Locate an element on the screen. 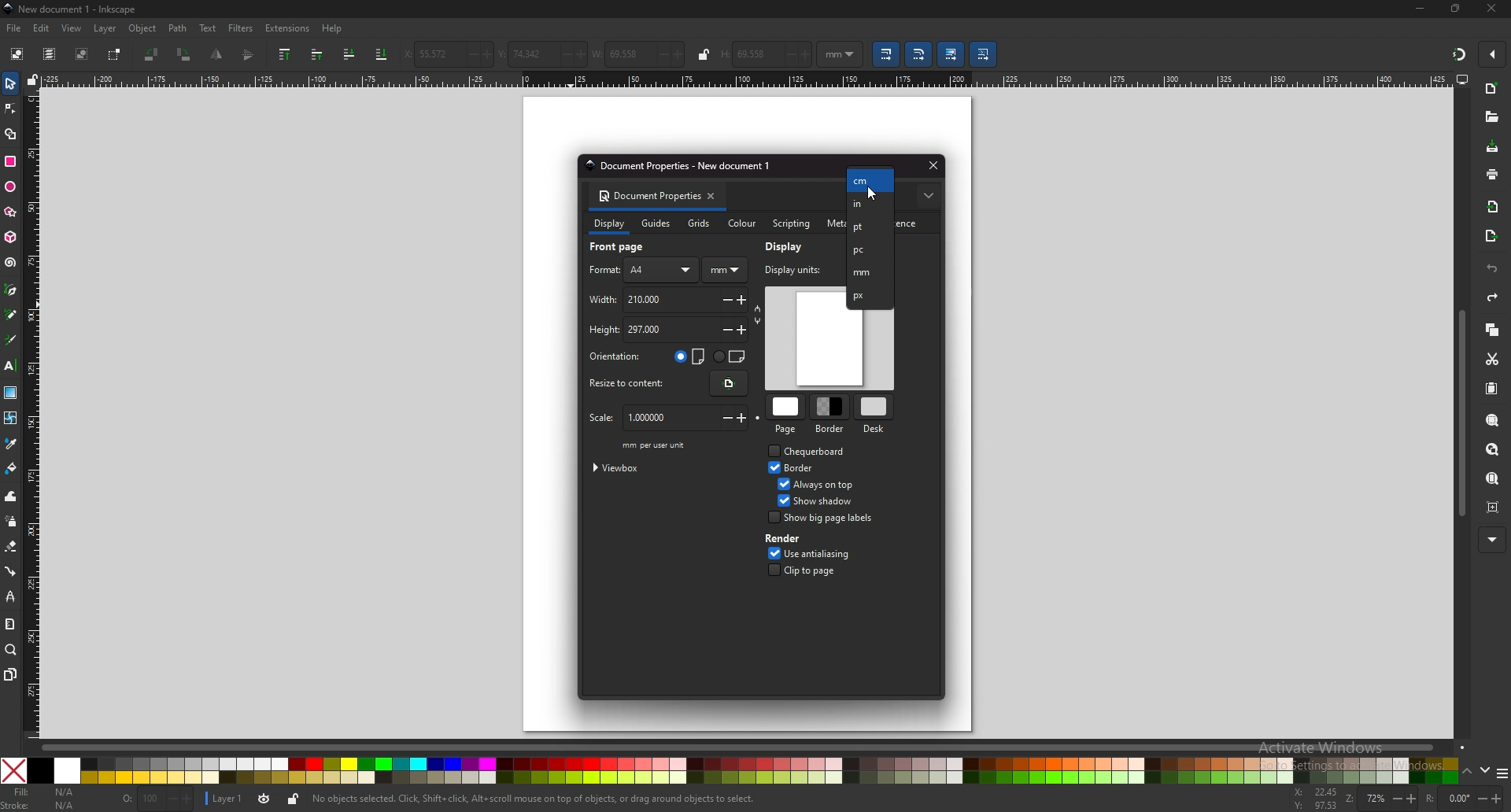  landscape is located at coordinates (730, 355).